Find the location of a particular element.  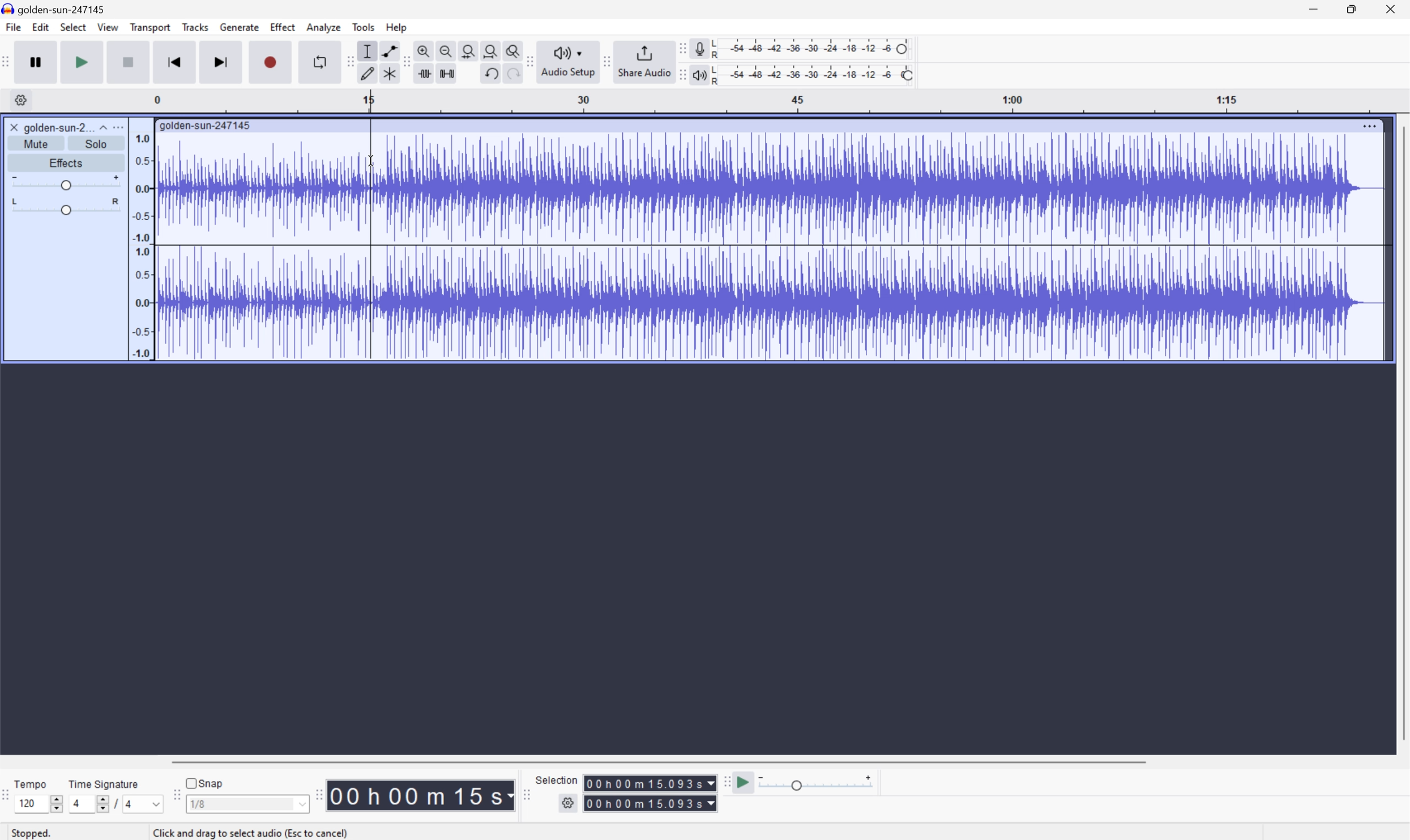

Snap is located at coordinates (204, 781).